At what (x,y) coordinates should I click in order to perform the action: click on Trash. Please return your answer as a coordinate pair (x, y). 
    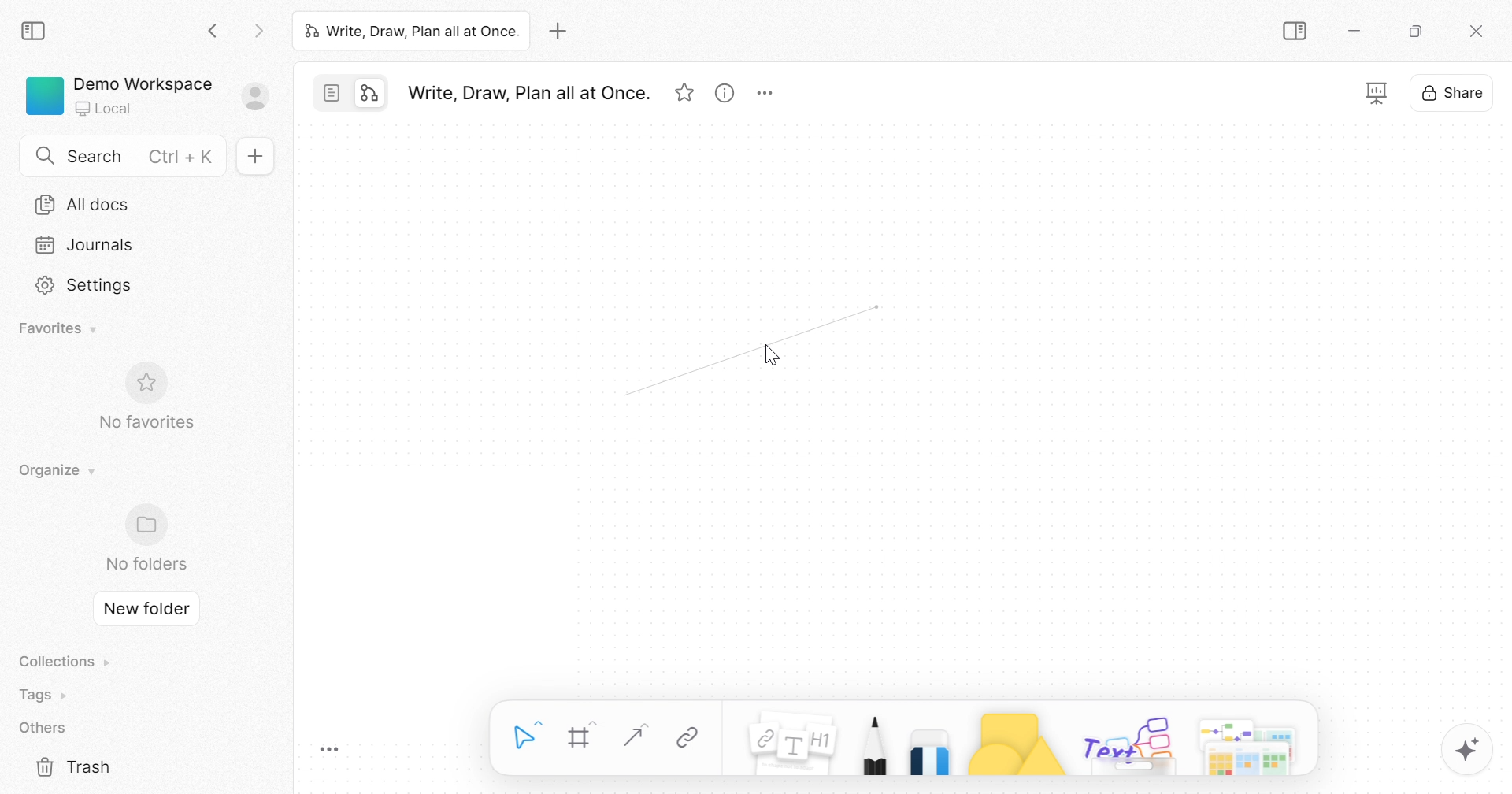
    Looking at the image, I should click on (76, 768).